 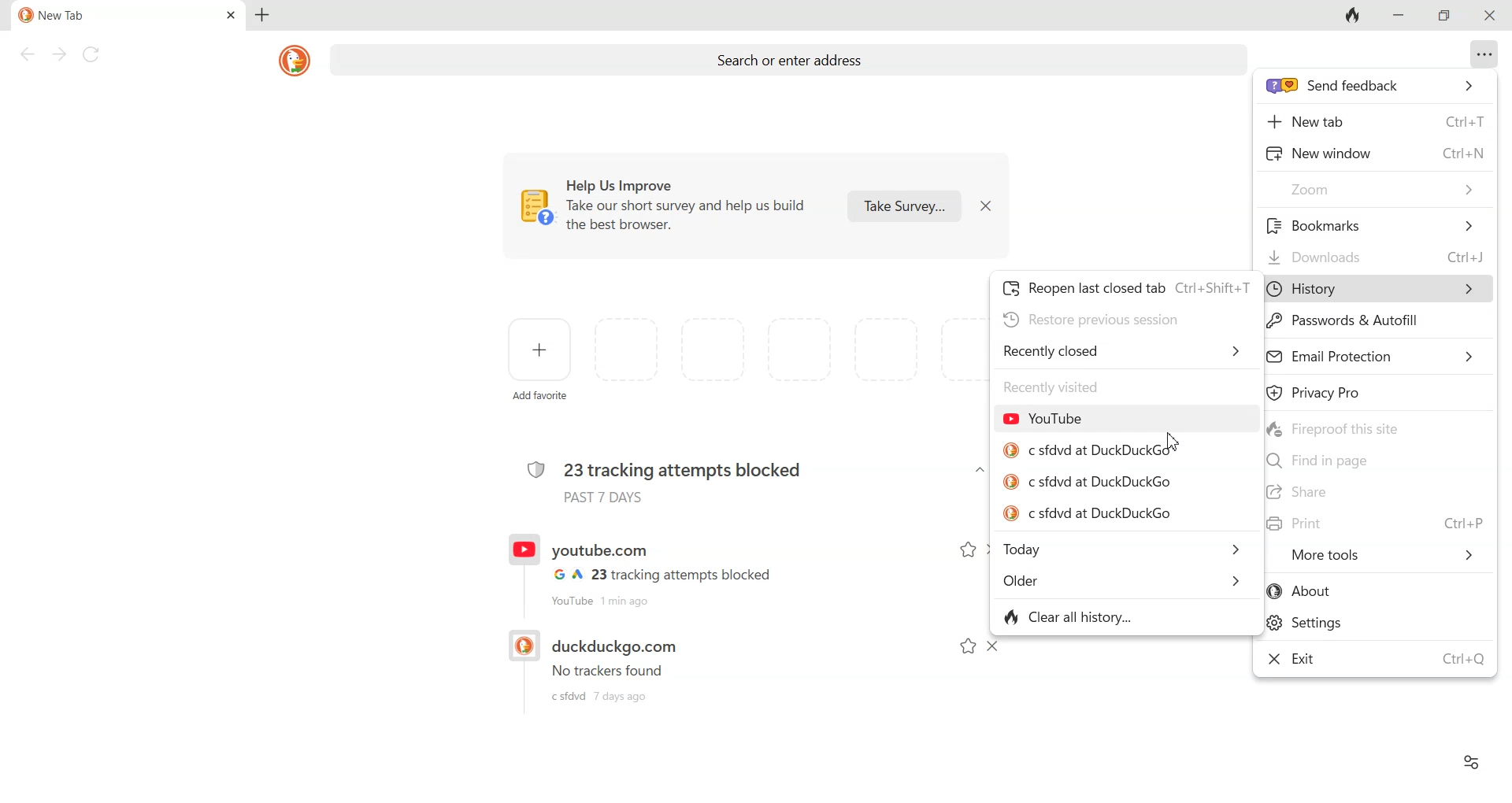 What do you see at coordinates (1375, 151) in the screenshot?
I see `New window` at bounding box center [1375, 151].